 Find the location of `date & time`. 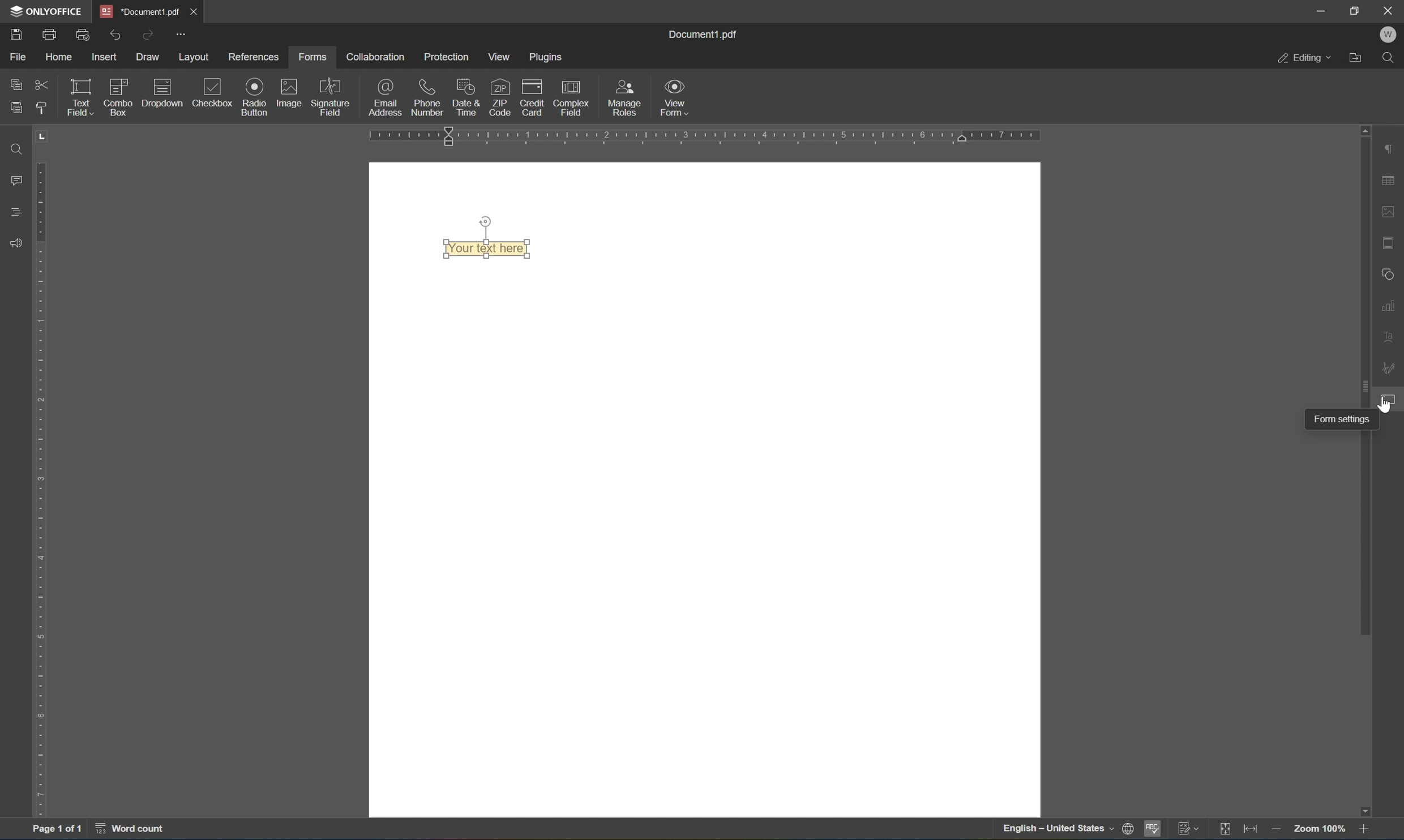

date & time is located at coordinates (466, 96).